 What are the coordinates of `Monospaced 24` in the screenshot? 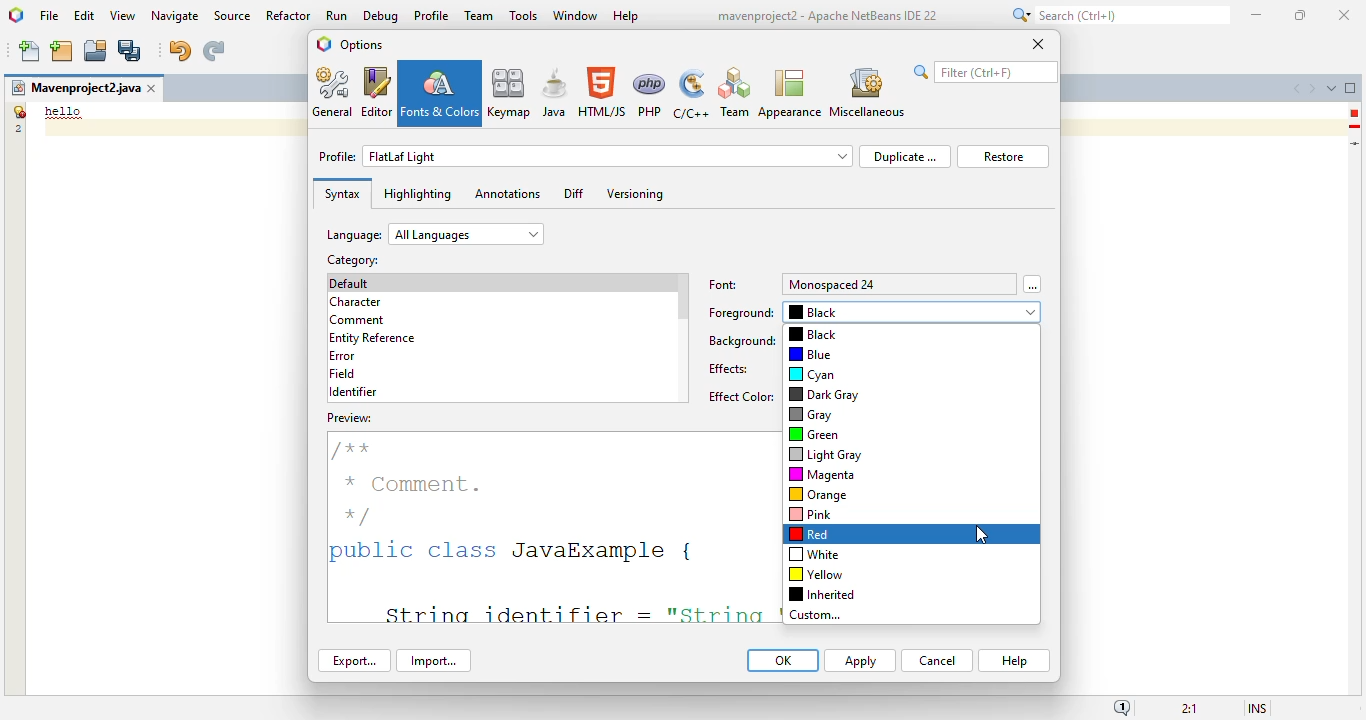 It's located at (833, 284).